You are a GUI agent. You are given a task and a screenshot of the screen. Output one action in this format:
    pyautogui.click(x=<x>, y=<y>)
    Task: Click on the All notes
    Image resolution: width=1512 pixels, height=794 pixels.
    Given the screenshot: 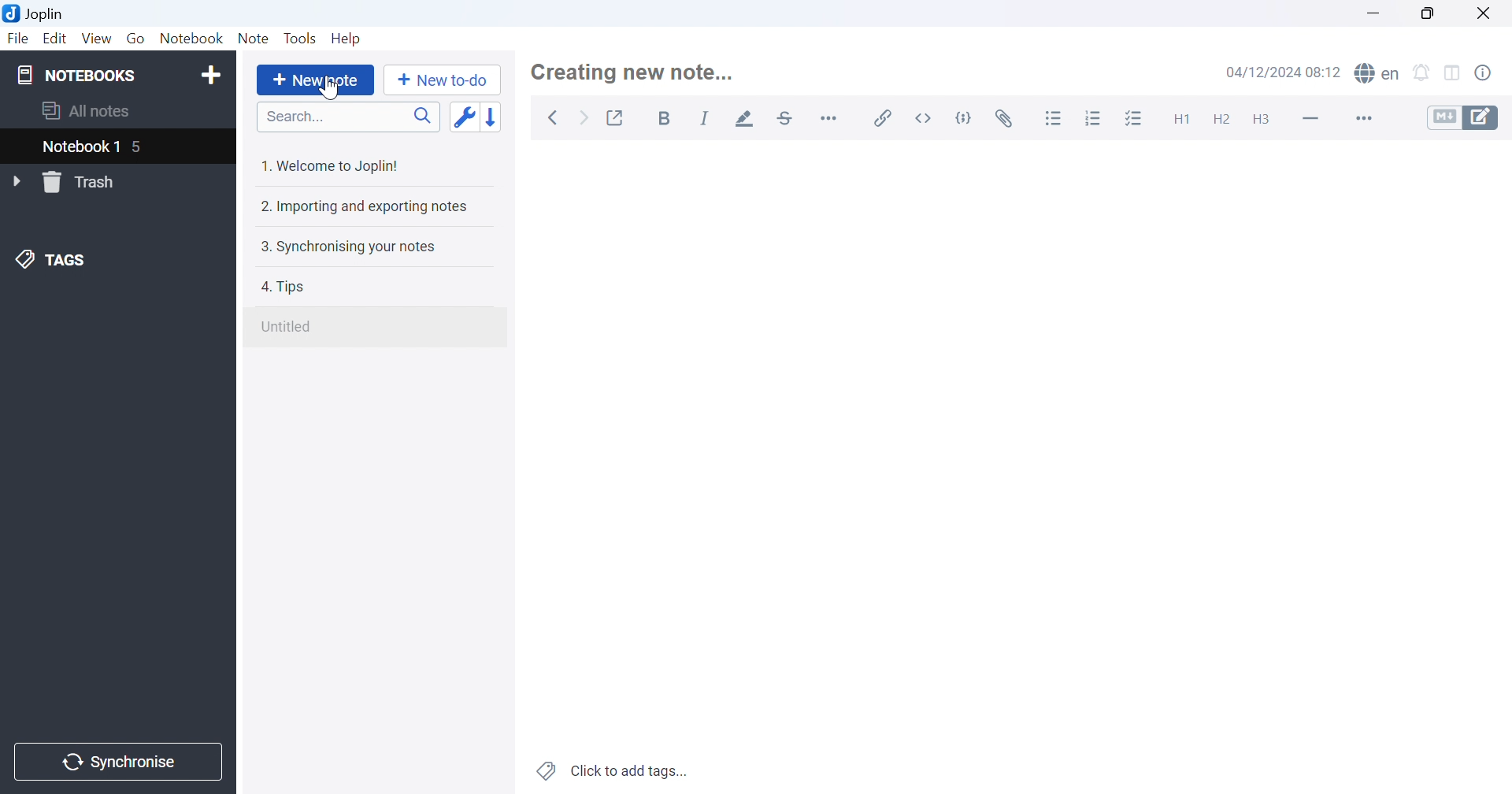 What is the action you would take?
    pyautogui.click(x=91, y=110)
    